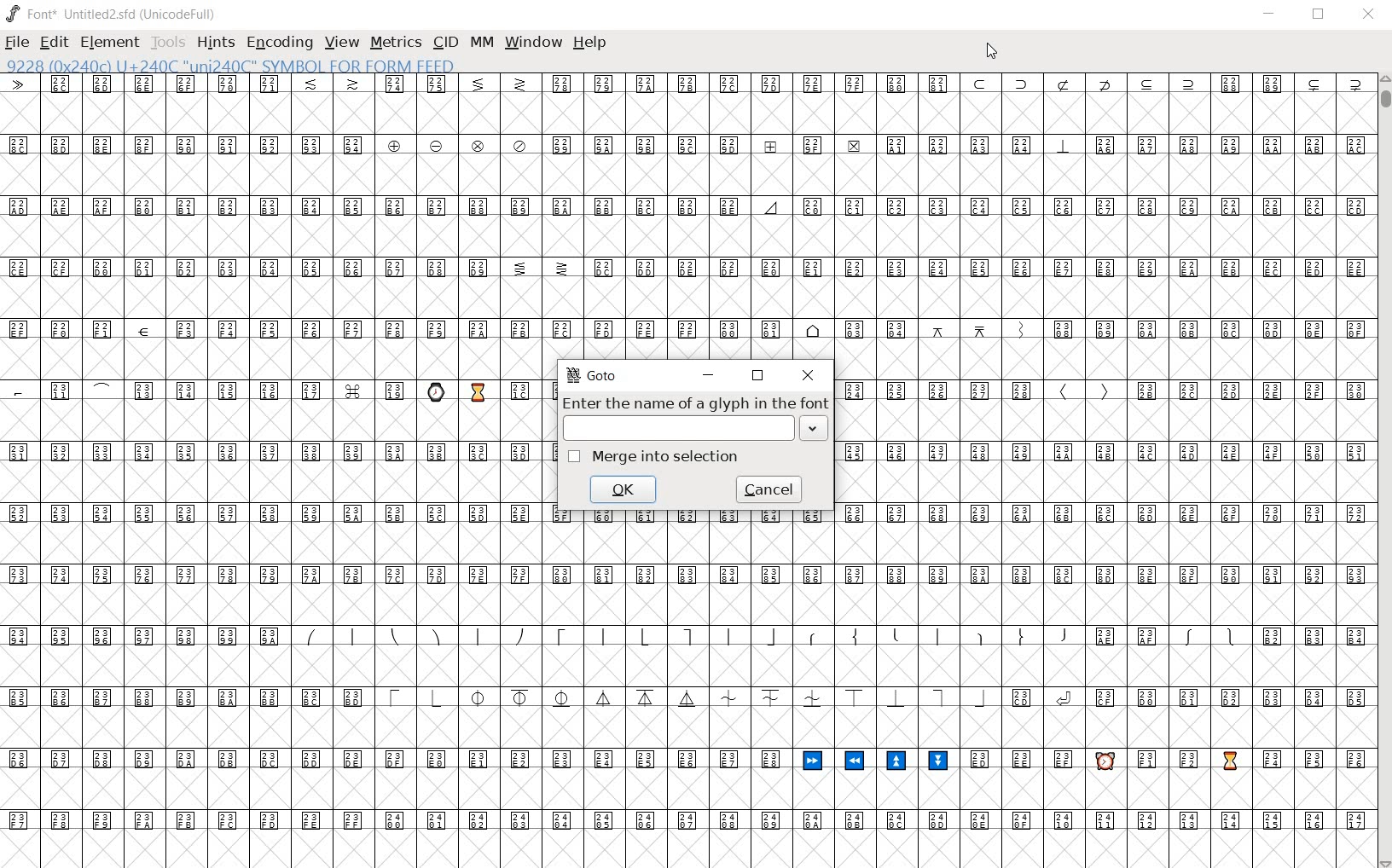  What do you see at coordinates (624, 490) in the screenshot?
I see `ok` at bounding box center [624, 490].